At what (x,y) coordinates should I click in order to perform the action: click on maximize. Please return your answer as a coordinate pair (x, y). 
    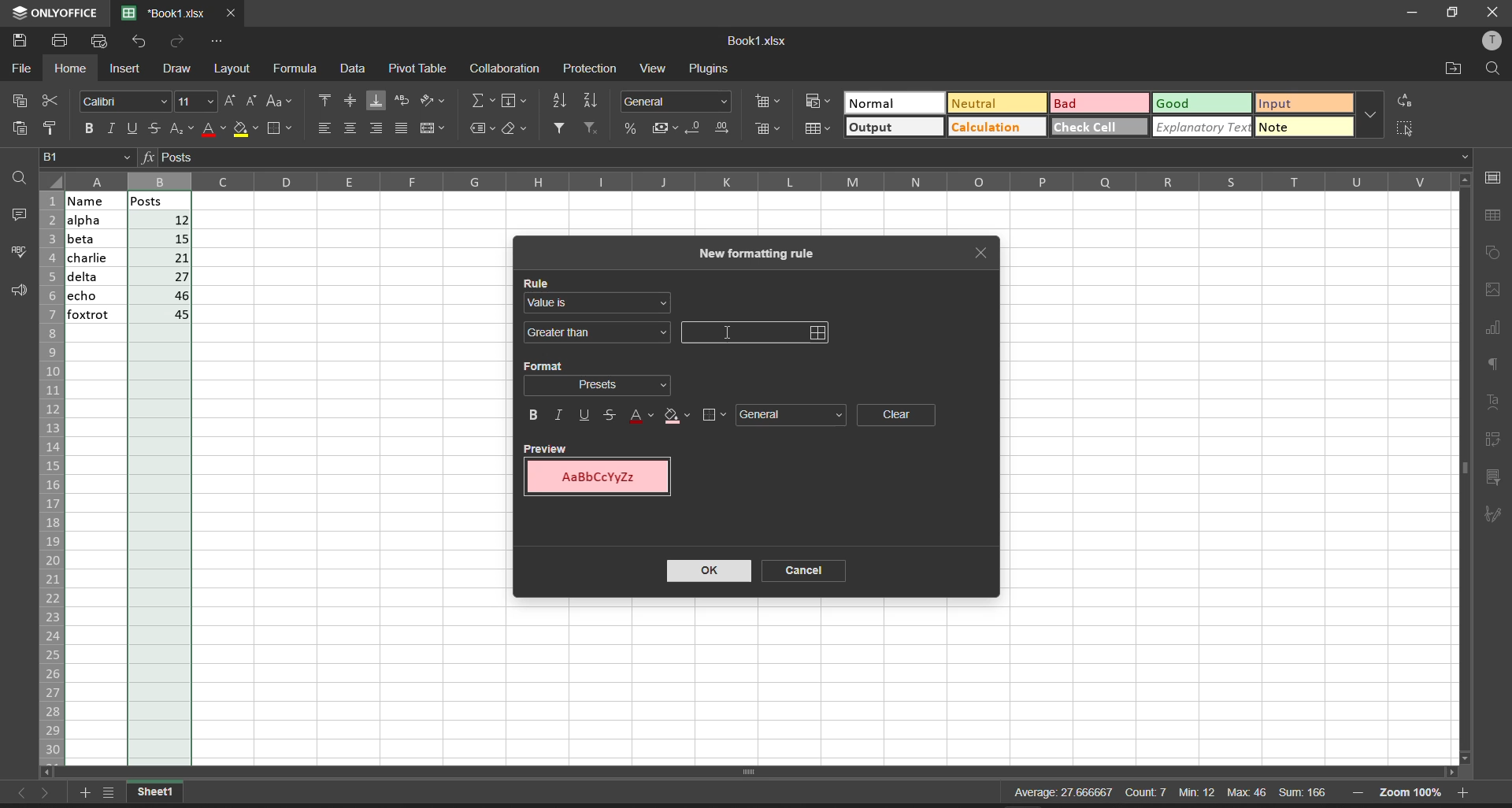
    Looking at the image, I should click on (1454, 13).